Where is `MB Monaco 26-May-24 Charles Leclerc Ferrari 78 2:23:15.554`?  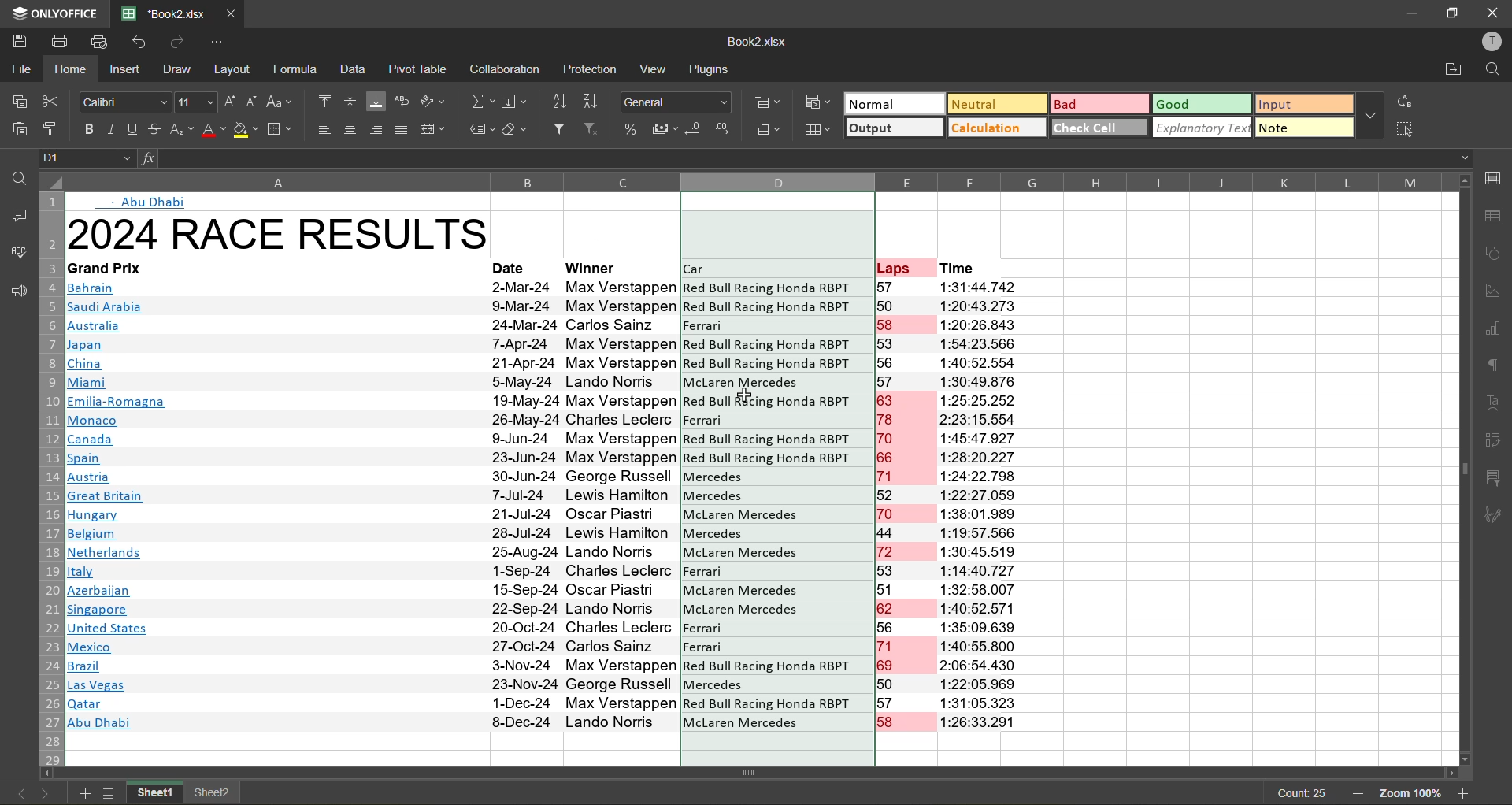
MB Monaco 26-May-24 Charles Leclerc Ferrari 78 2:23:15.554 is located at coordinates (552, 421).